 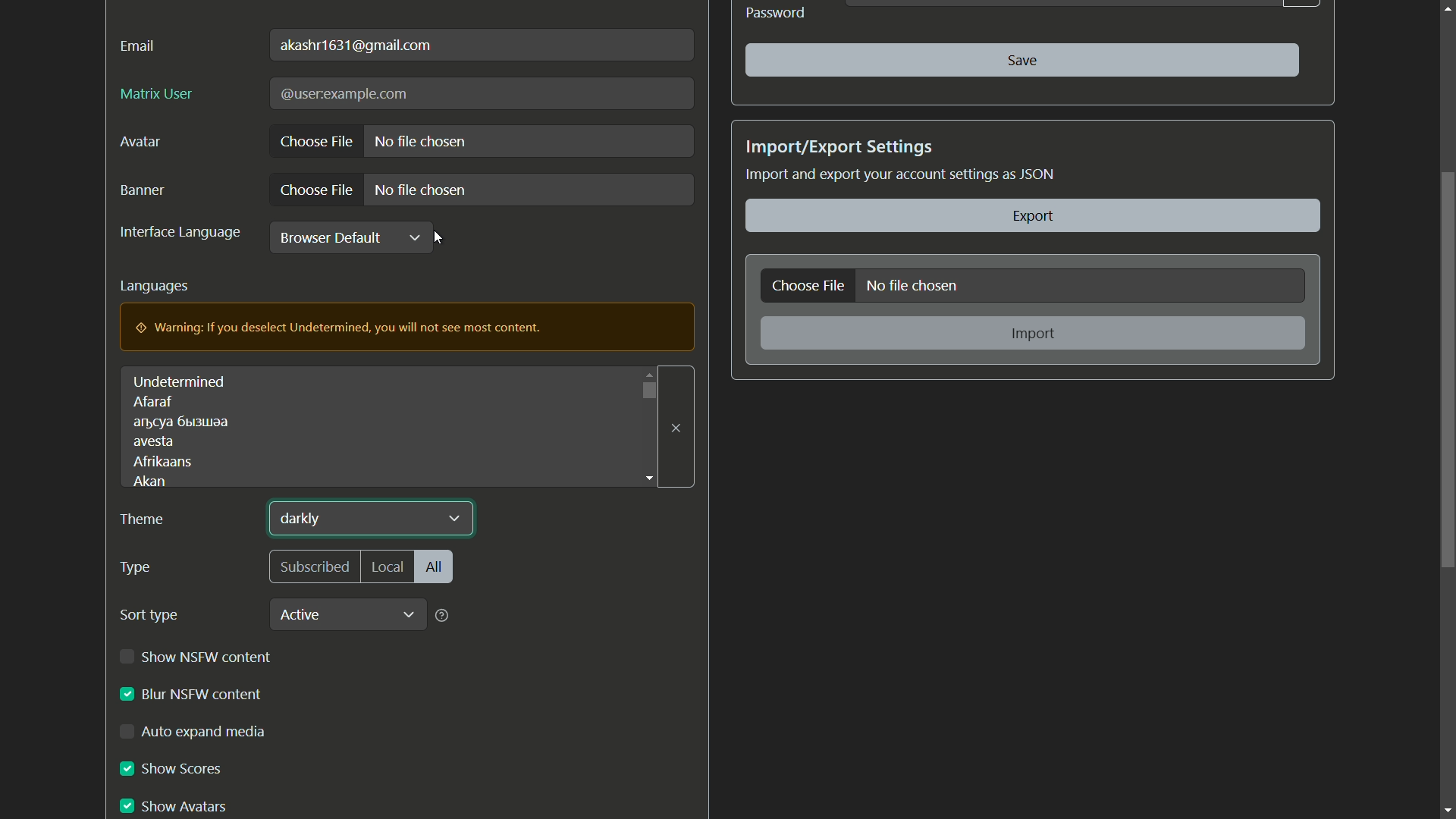 I want to click on matrix user, so click(x=156, y=95).